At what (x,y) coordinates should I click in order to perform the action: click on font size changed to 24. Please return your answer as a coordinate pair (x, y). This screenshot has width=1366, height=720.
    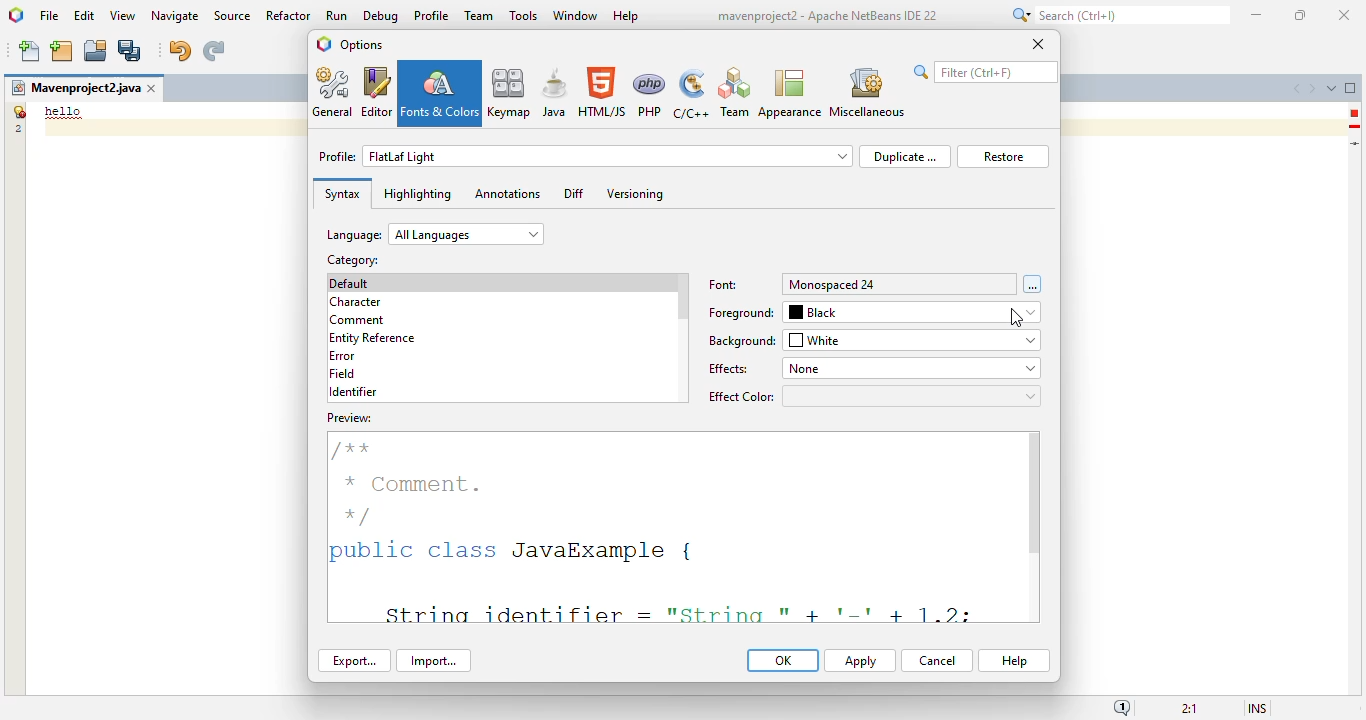
    Looking at the image, I should click on (669, 517).